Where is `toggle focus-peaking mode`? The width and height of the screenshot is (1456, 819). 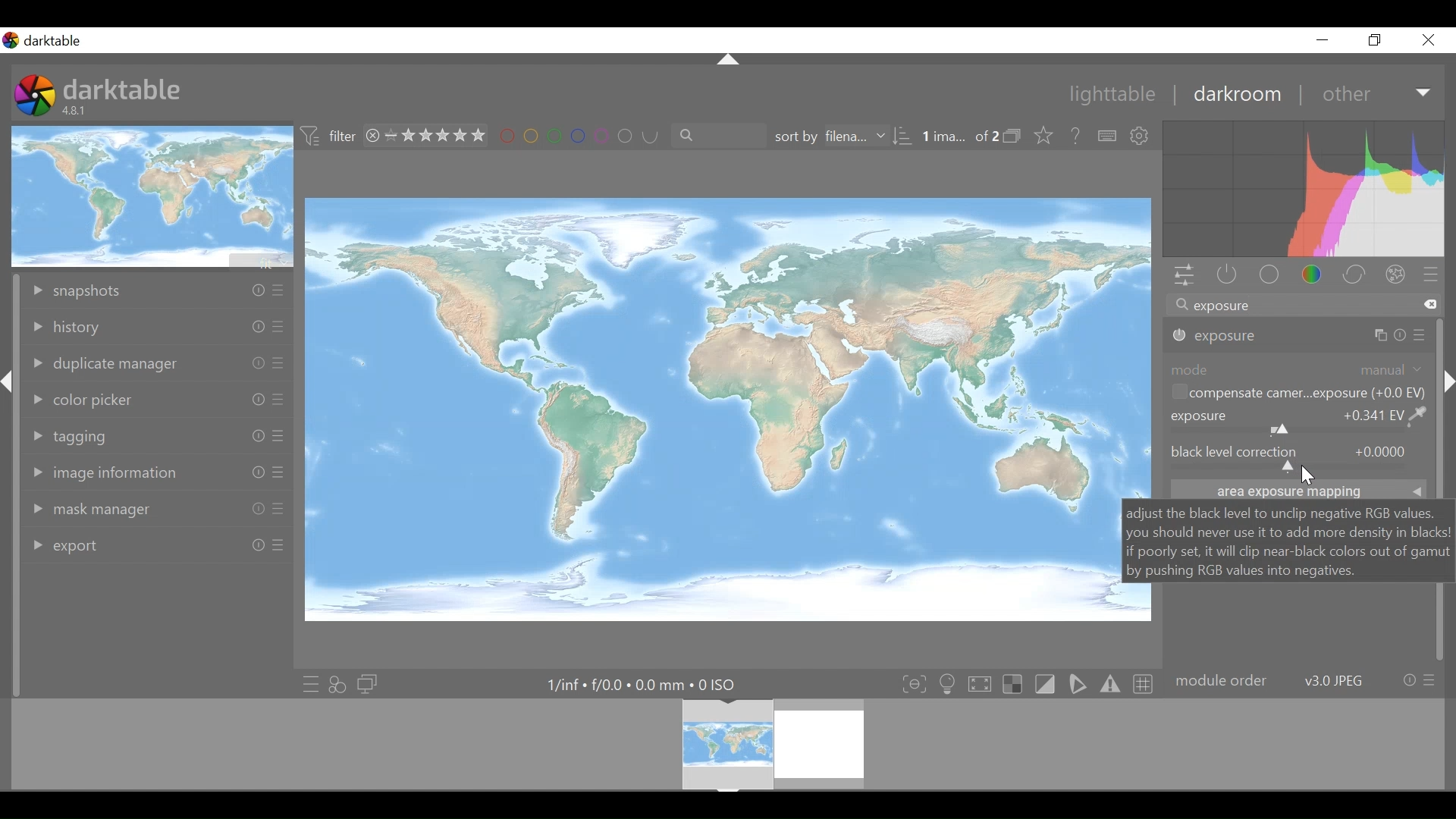 toggle focus-peaking mode is located at coordinates (912, 684).